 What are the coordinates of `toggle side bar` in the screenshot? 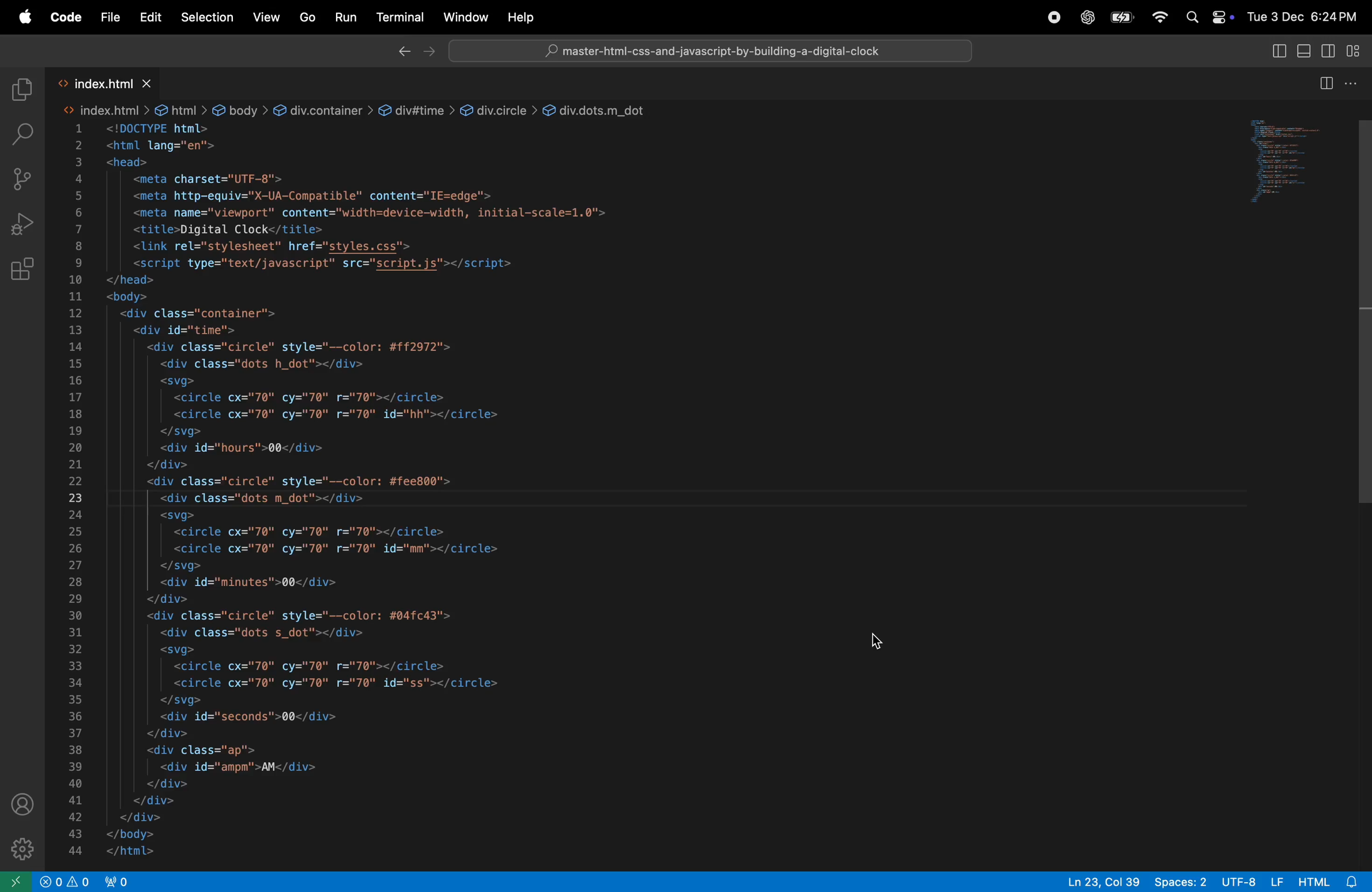 It's located at (1279, 52).